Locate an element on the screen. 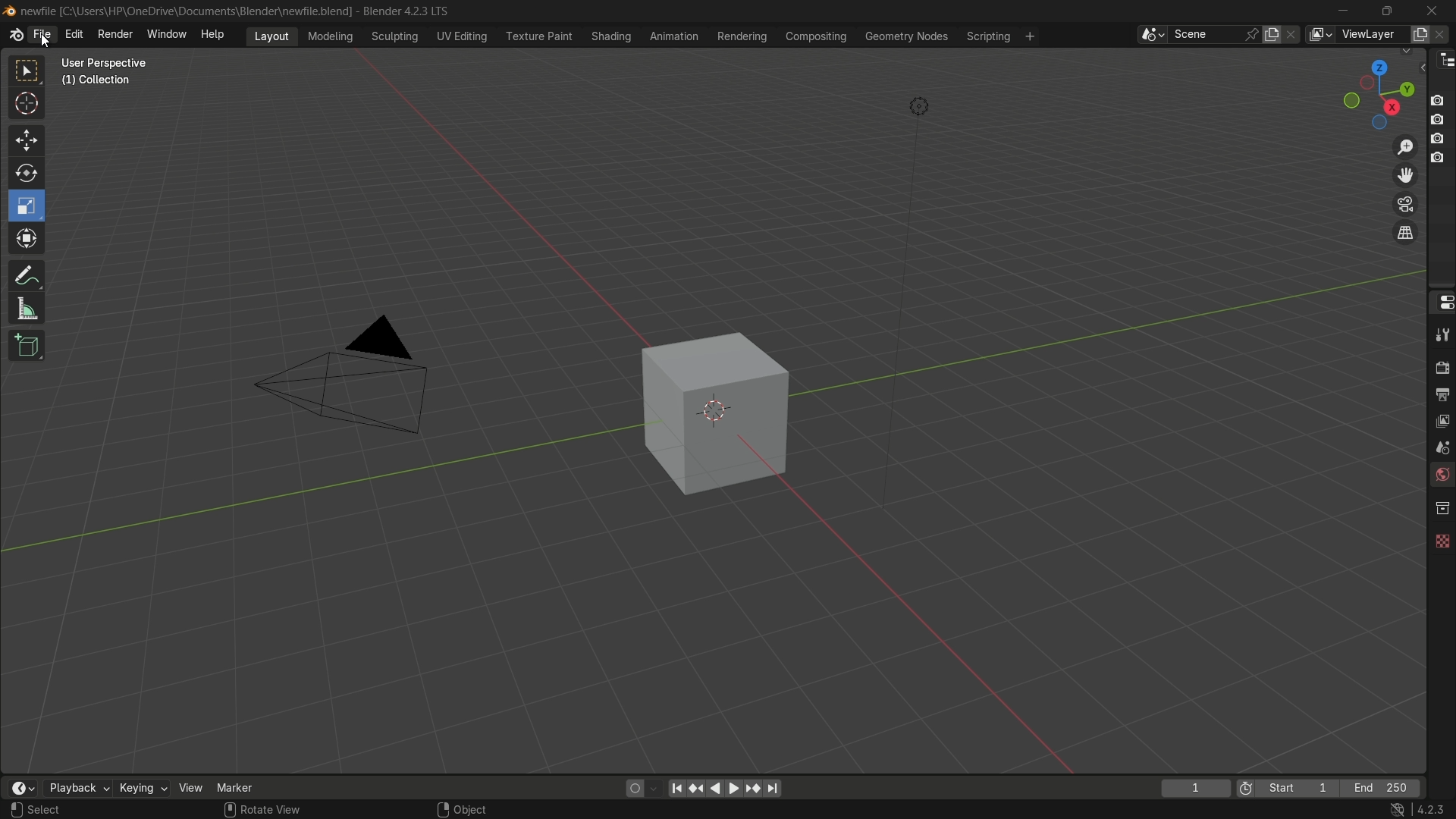 This screenshot has width=1456, height=819. pin scene to workplace is located at coordinates (1254, 34).